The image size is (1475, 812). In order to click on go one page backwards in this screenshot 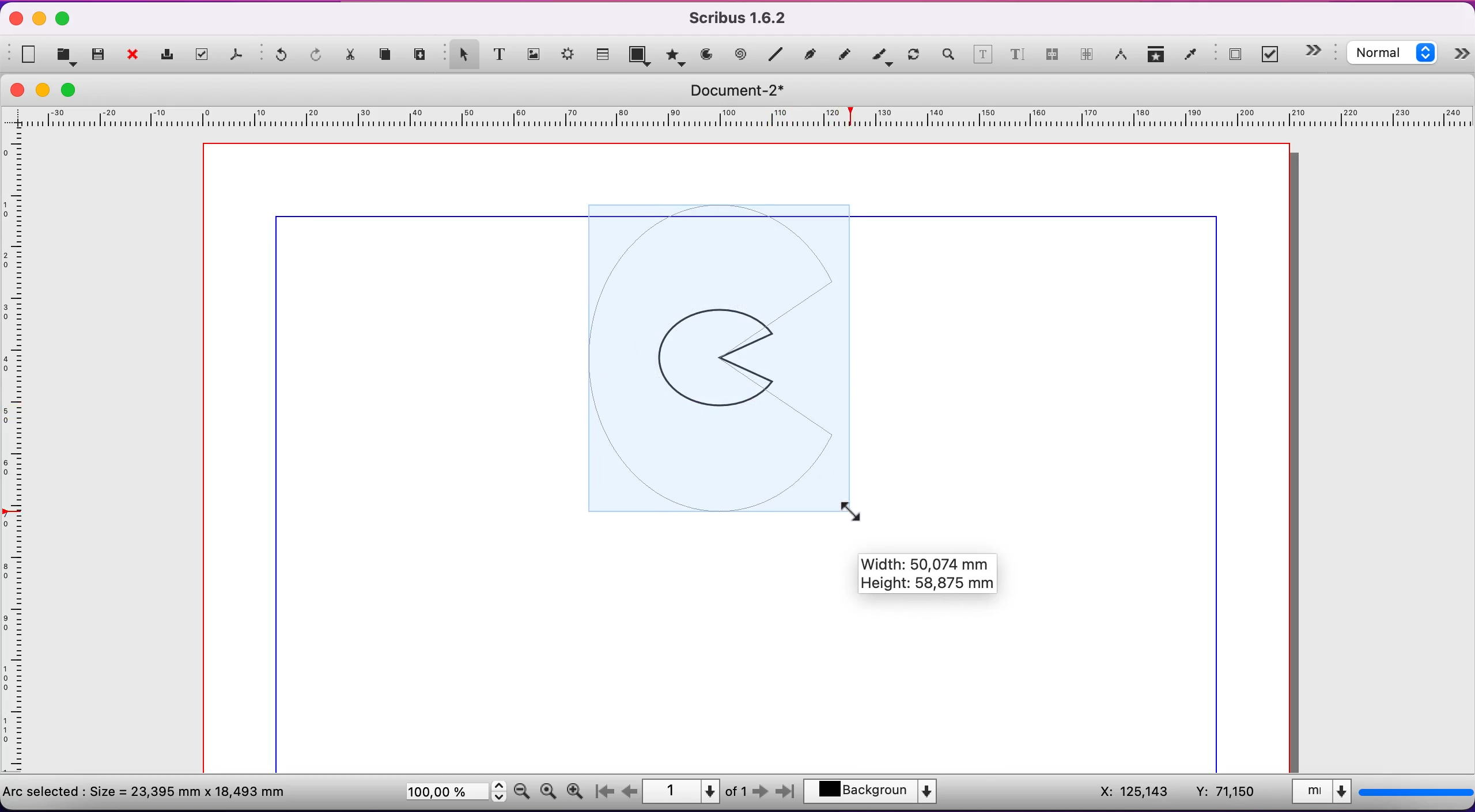, I will do `click(630, 791)`.